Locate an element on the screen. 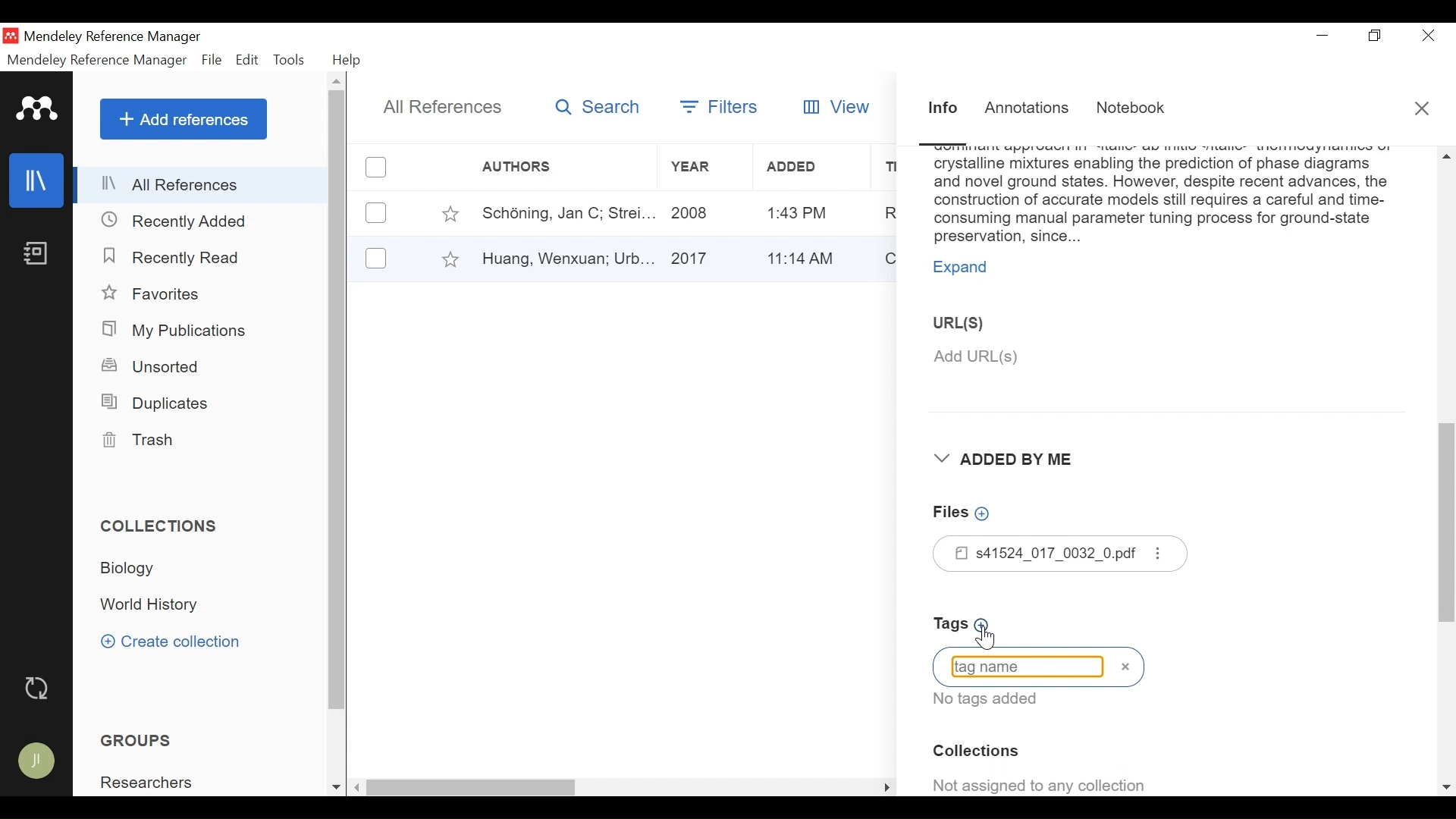 The height and width of the screenshot is (819, 1456). Vertical Scroll bar is located at coordinates (474, 789).